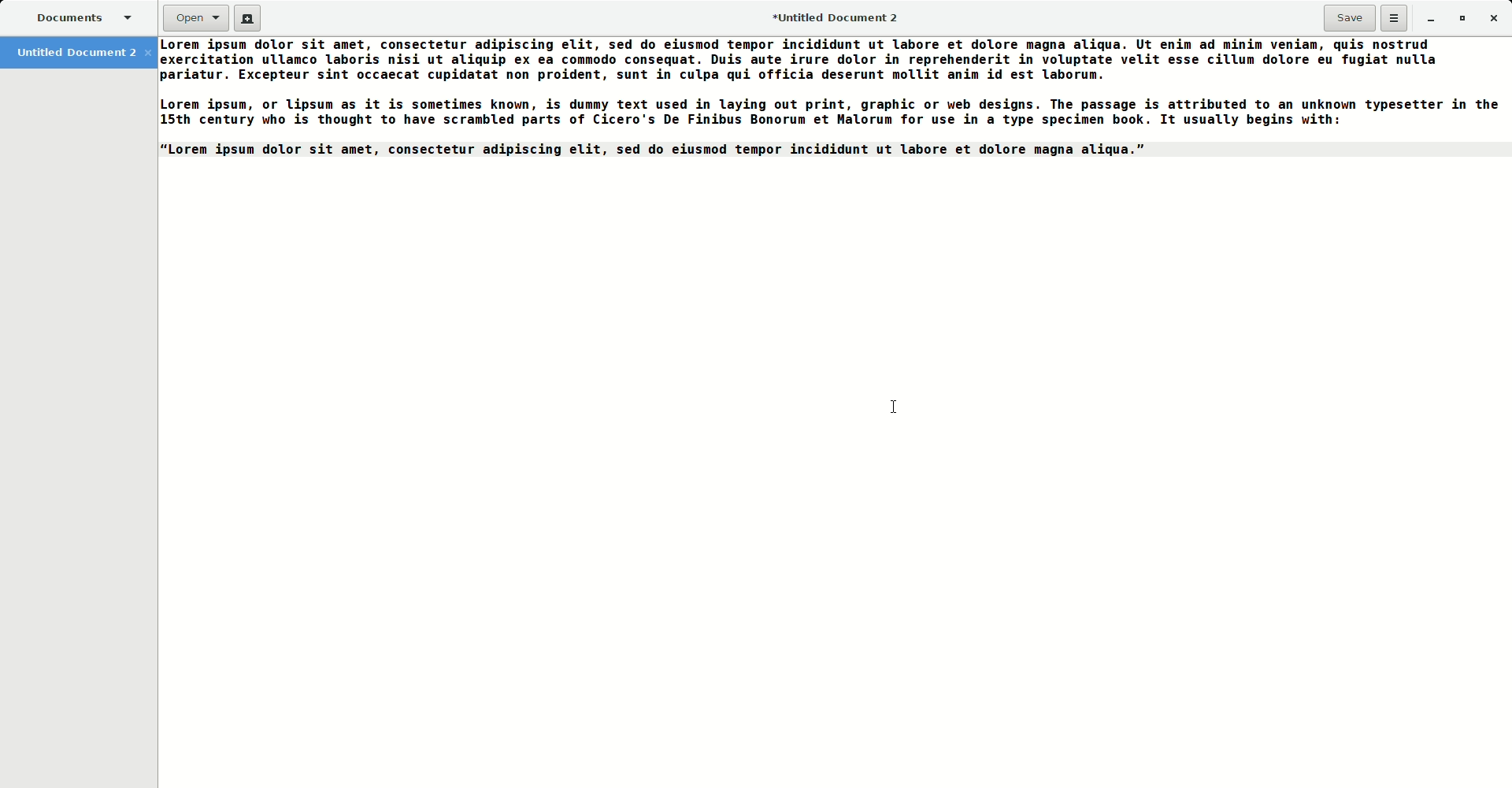  I want to click on Documents, so click(76, 17).